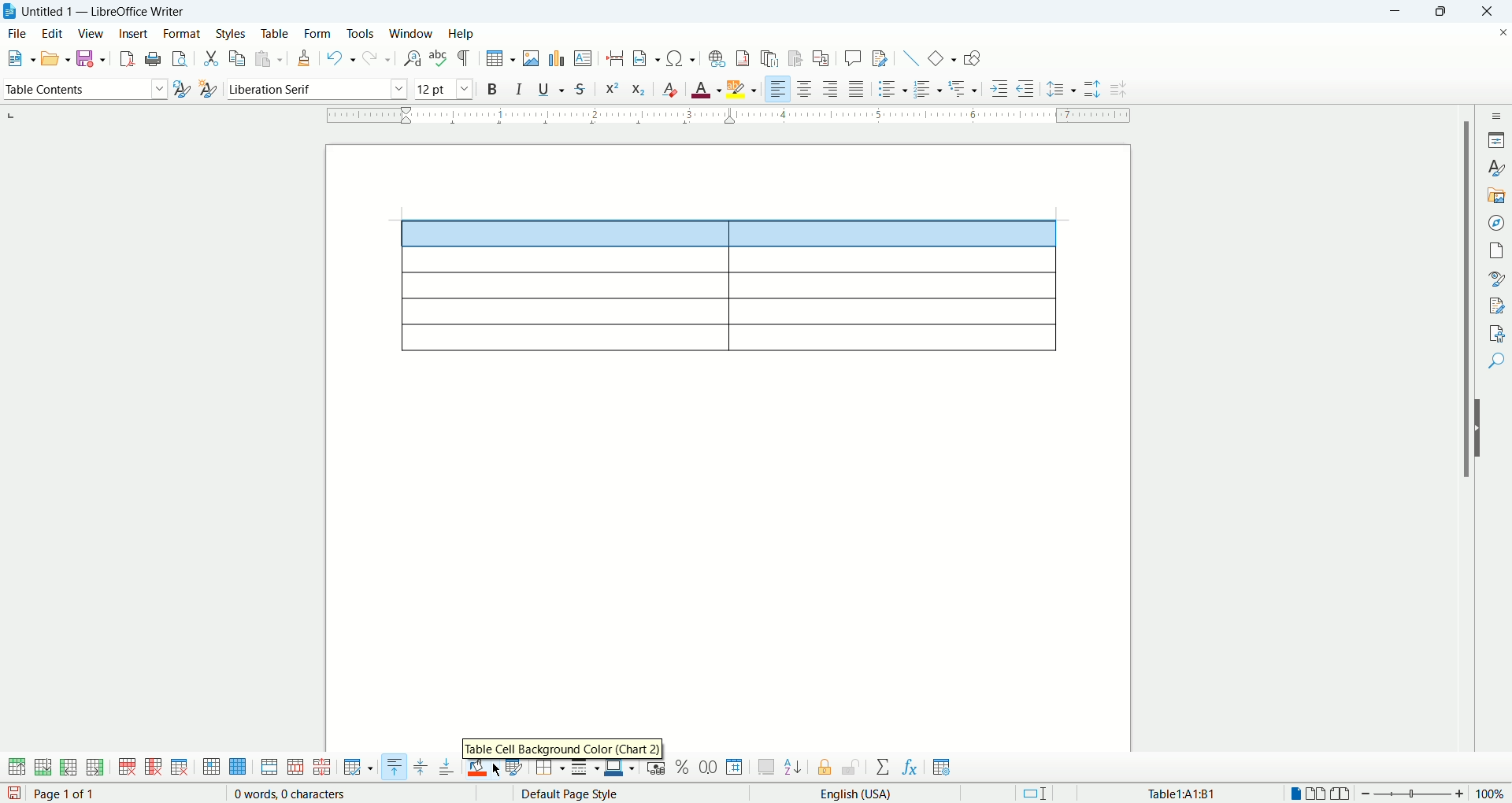 The height and width of the screenshot is (803, 1512). What do you see at coordinates (211, 768) in the screenshot?
I see `select cells` at bounding box center [211, 768].